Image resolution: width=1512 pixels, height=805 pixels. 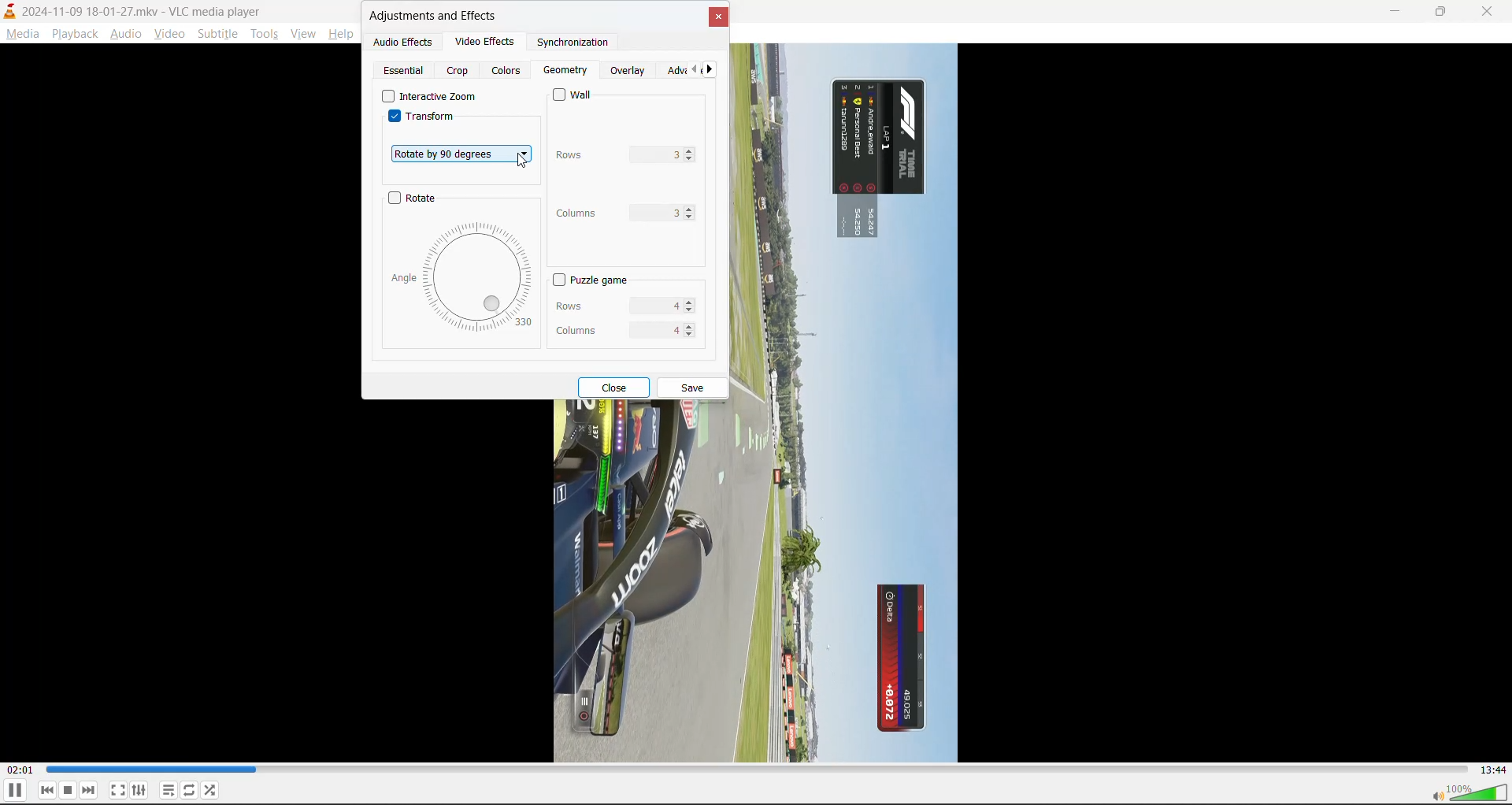 I want to click on close, so click(x=1489, y=12).